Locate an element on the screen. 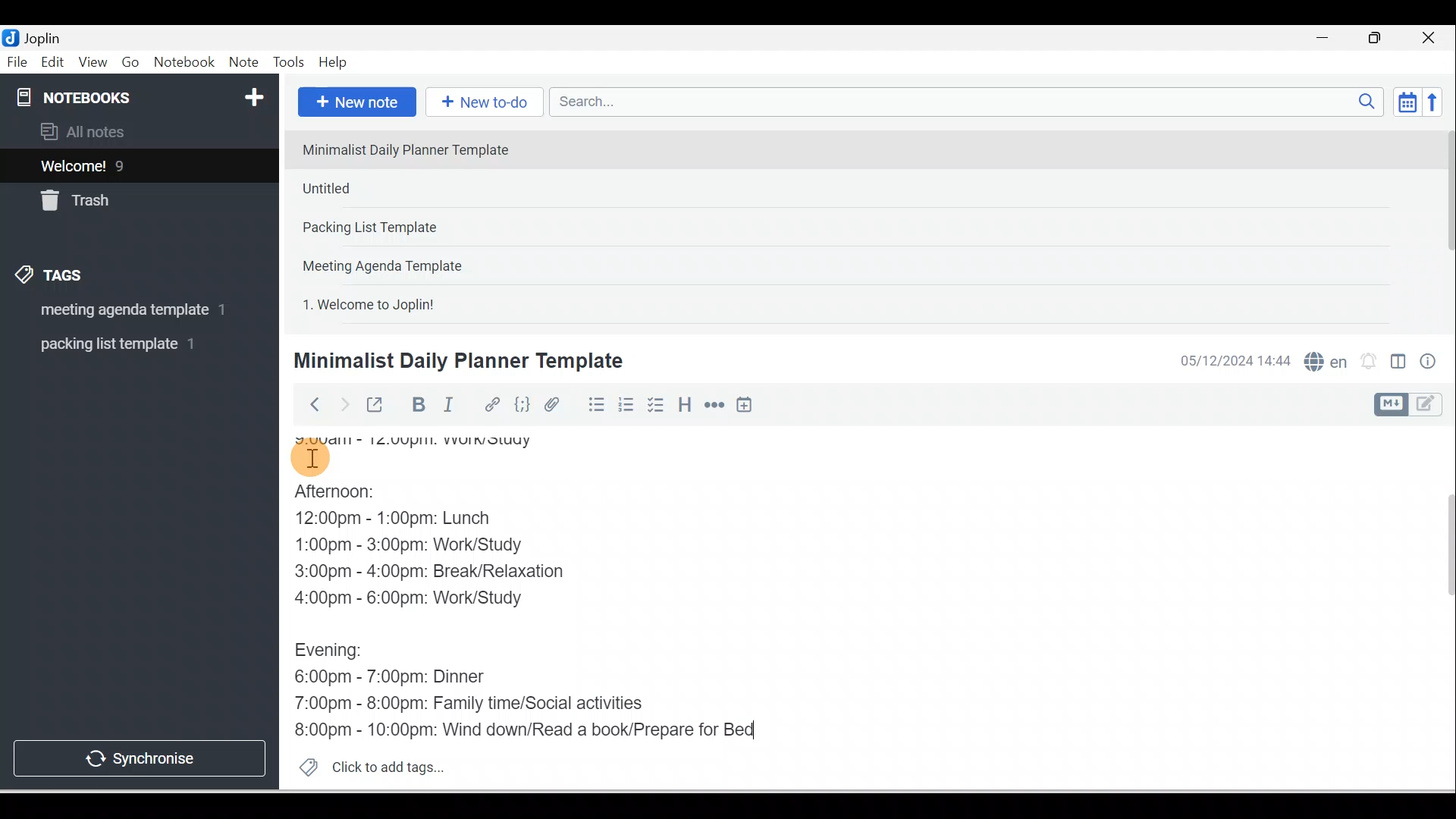  Go is located at coordinates (133, 63).